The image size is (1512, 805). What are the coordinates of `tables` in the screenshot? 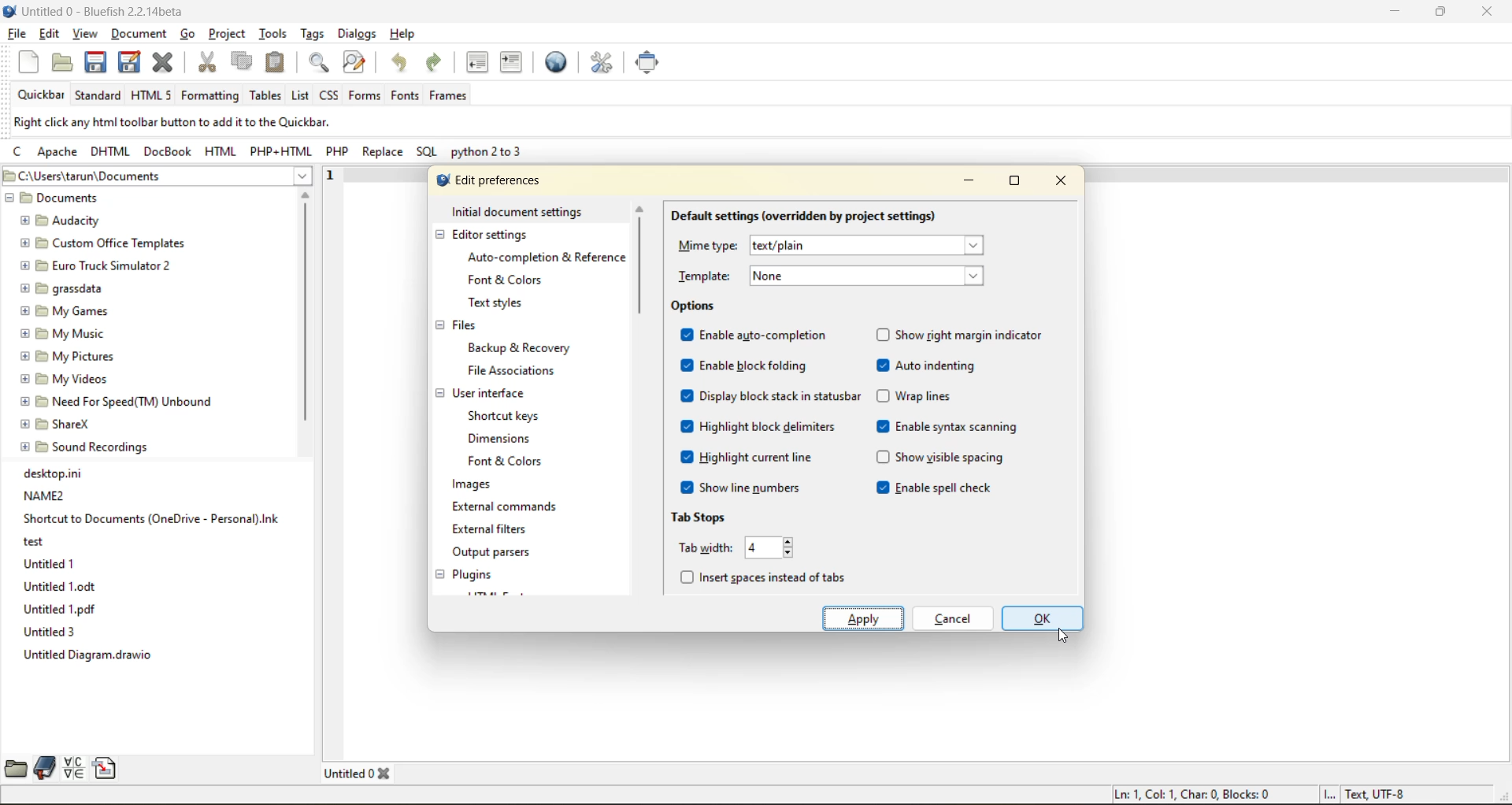 It's located at (265, 97).